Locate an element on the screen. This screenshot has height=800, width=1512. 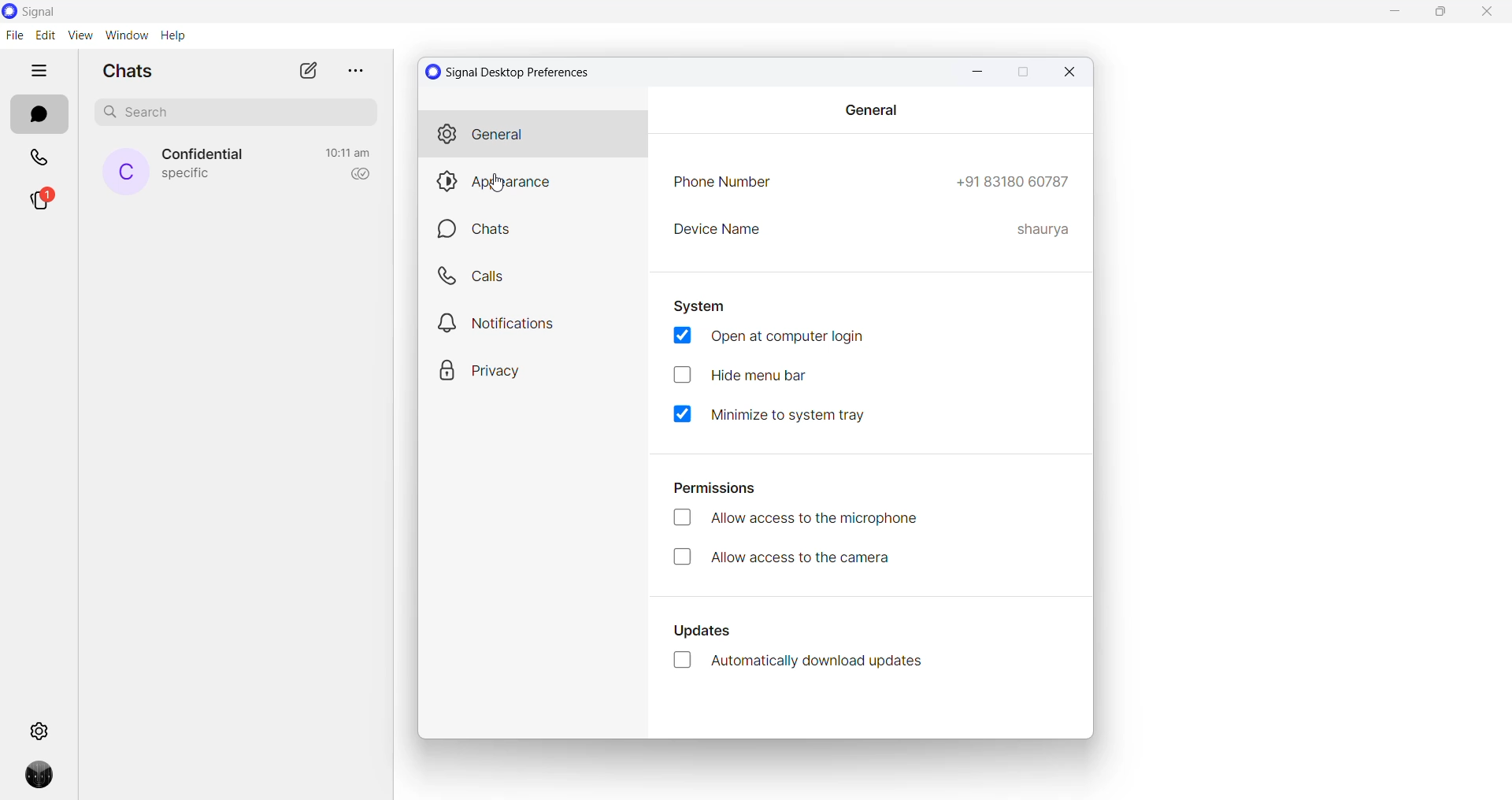
contact name is located at coordinates (206, 155).